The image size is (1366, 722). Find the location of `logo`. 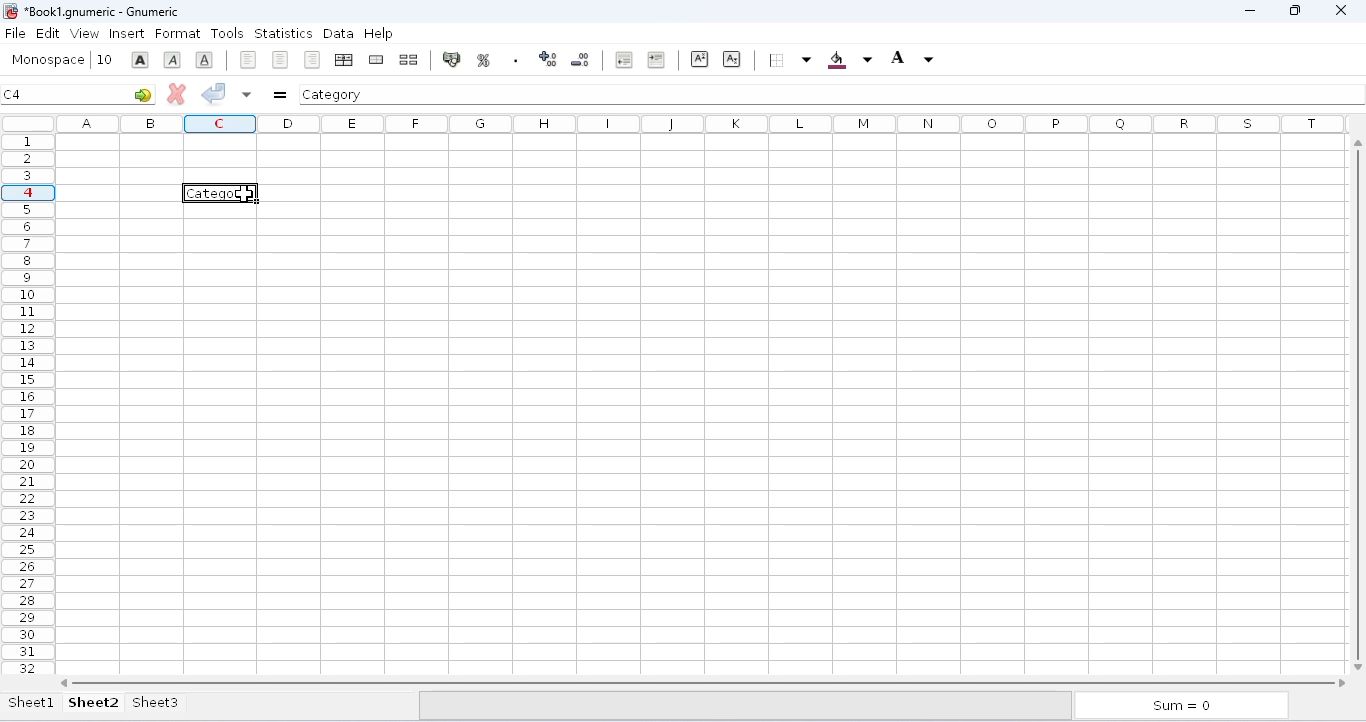

logo is located at coordinates (10, 11).